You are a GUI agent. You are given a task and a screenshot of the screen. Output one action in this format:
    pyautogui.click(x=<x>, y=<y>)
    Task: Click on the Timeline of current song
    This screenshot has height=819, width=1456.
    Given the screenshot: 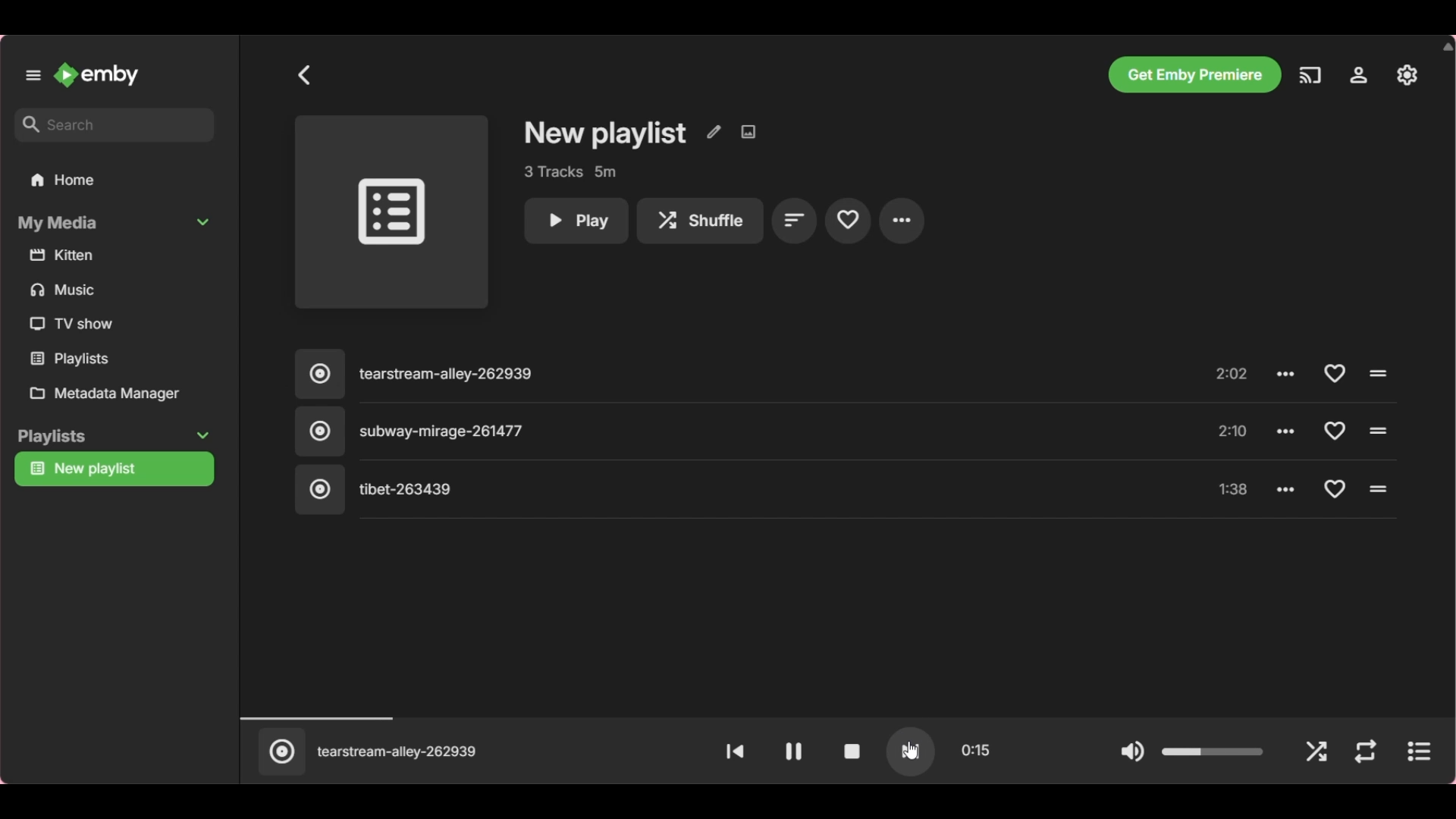 What is the action you would take?
    pyautogui.click(x=834, y=716)
    